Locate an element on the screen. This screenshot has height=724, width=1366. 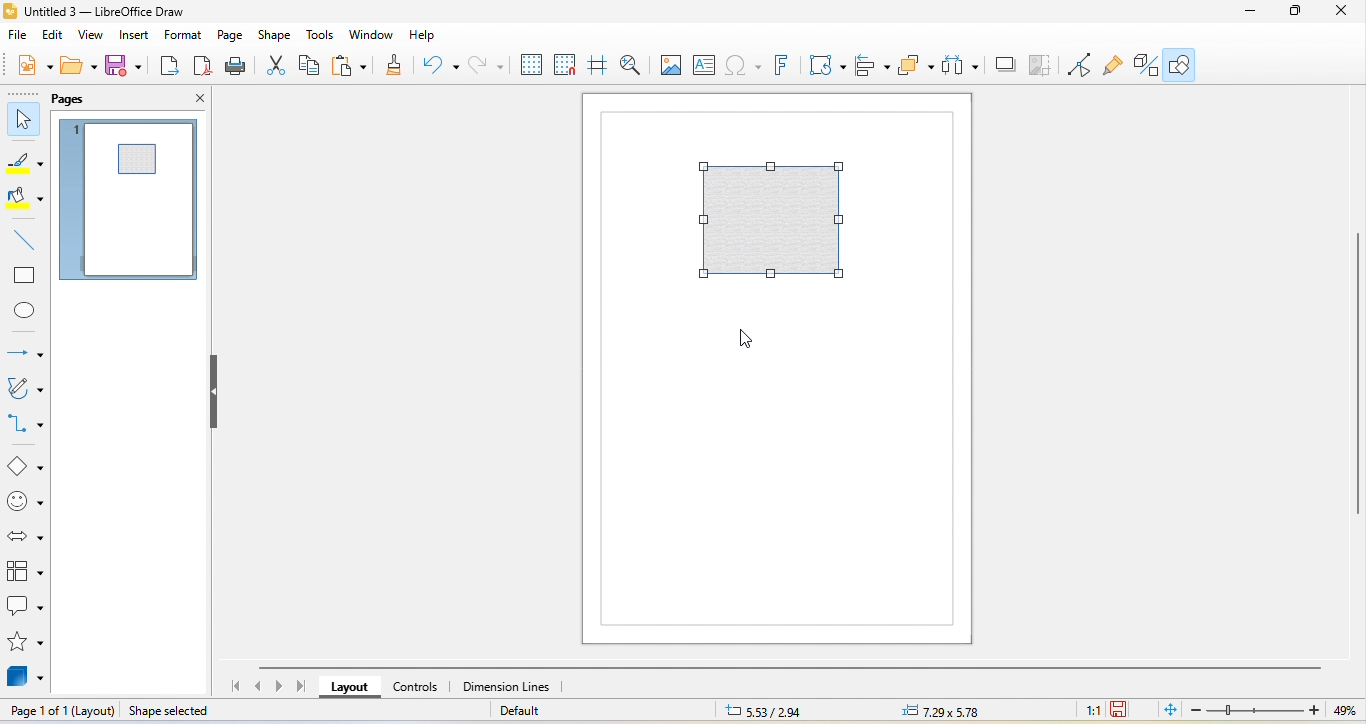
shape is located at coordinates (279, 34).